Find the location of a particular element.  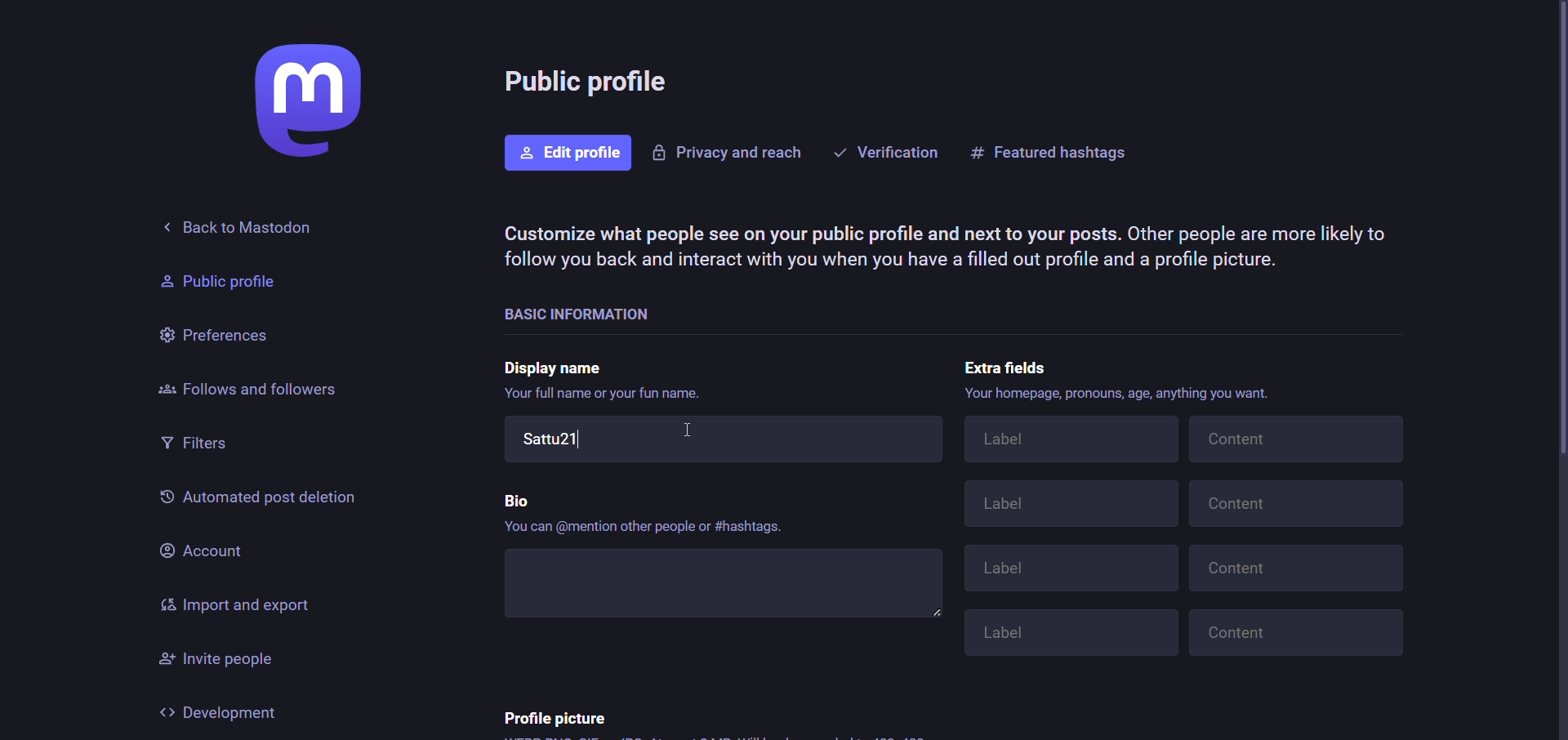

preferences is located at coordinates (215, 332).